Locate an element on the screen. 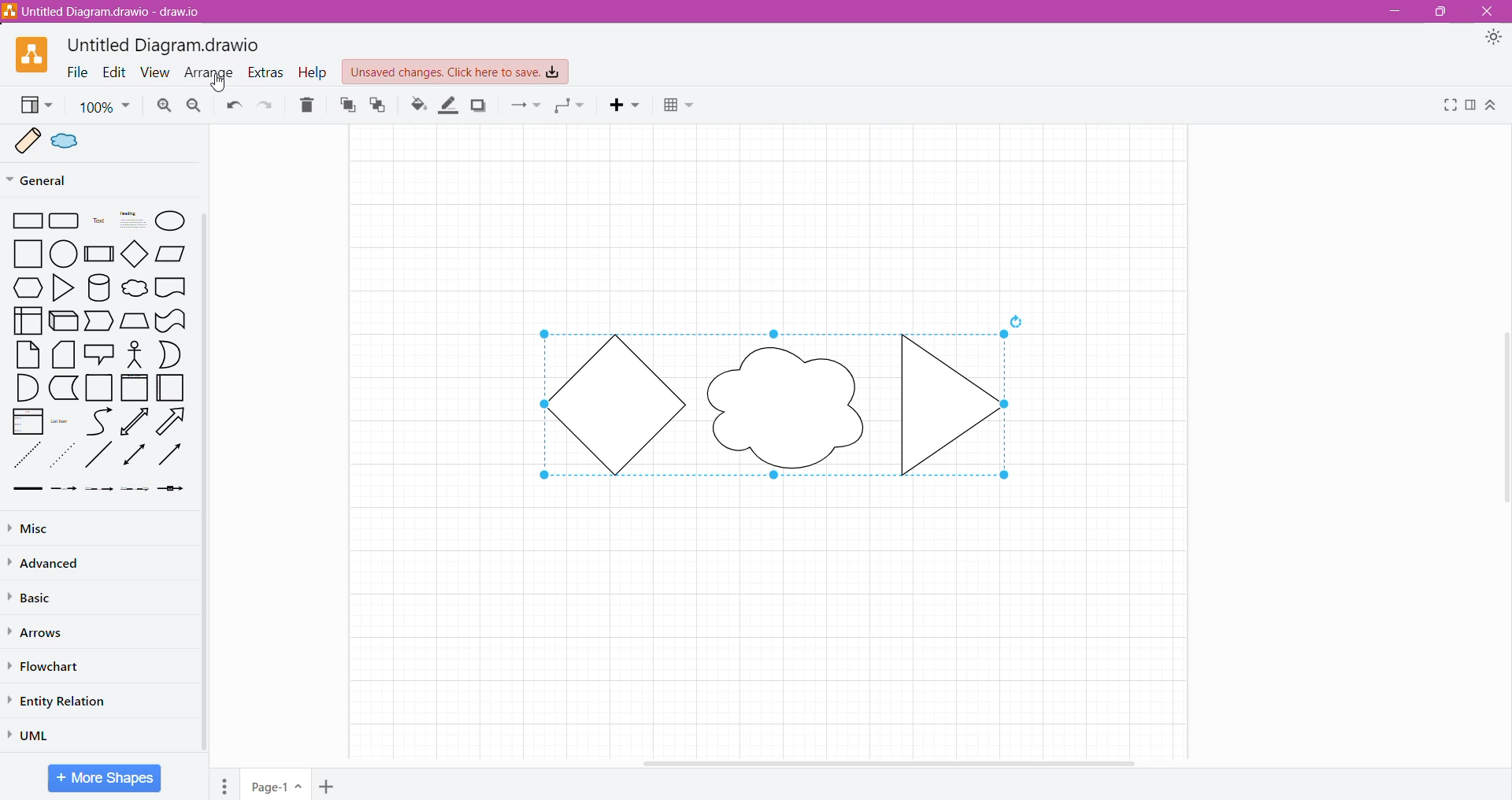 The width and height of the screenshot is (1512, 800). Entity Relation is located at coordinates (67, 701).